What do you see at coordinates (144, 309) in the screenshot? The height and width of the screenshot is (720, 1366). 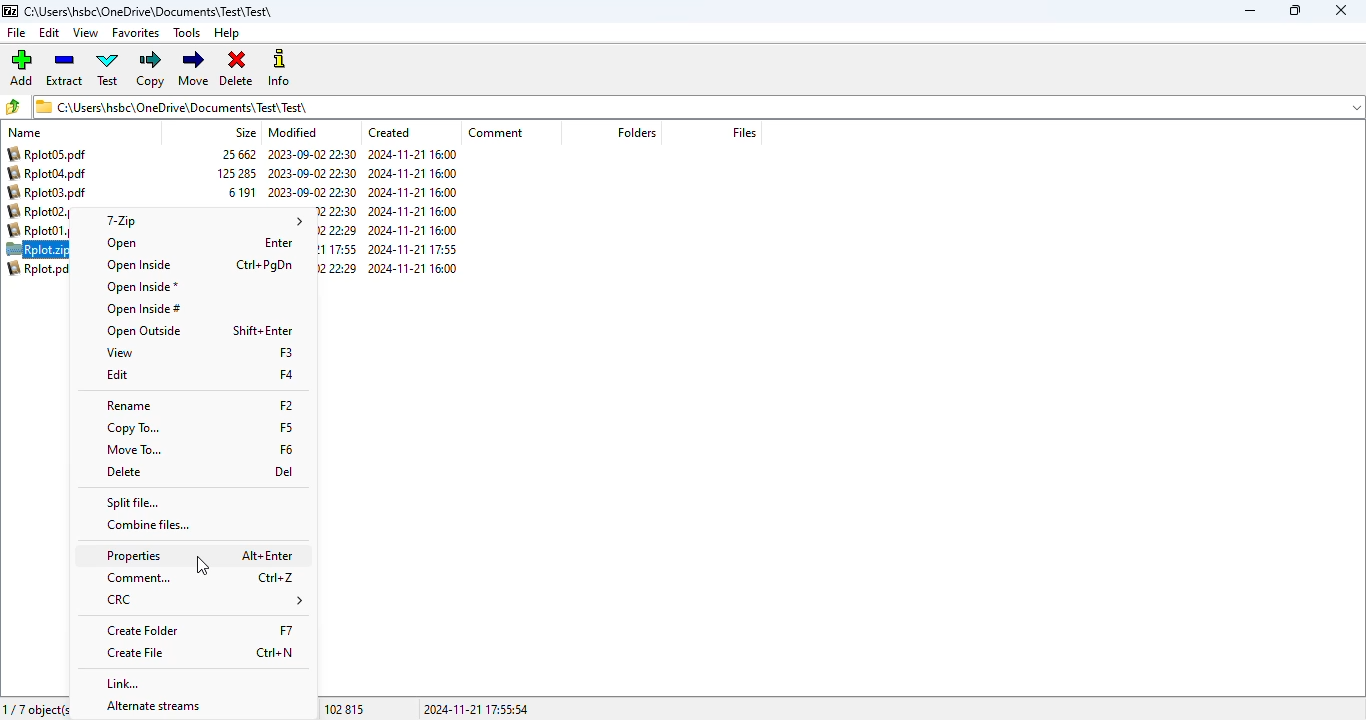 I see `open inside#` at bounding box center [144, 309].